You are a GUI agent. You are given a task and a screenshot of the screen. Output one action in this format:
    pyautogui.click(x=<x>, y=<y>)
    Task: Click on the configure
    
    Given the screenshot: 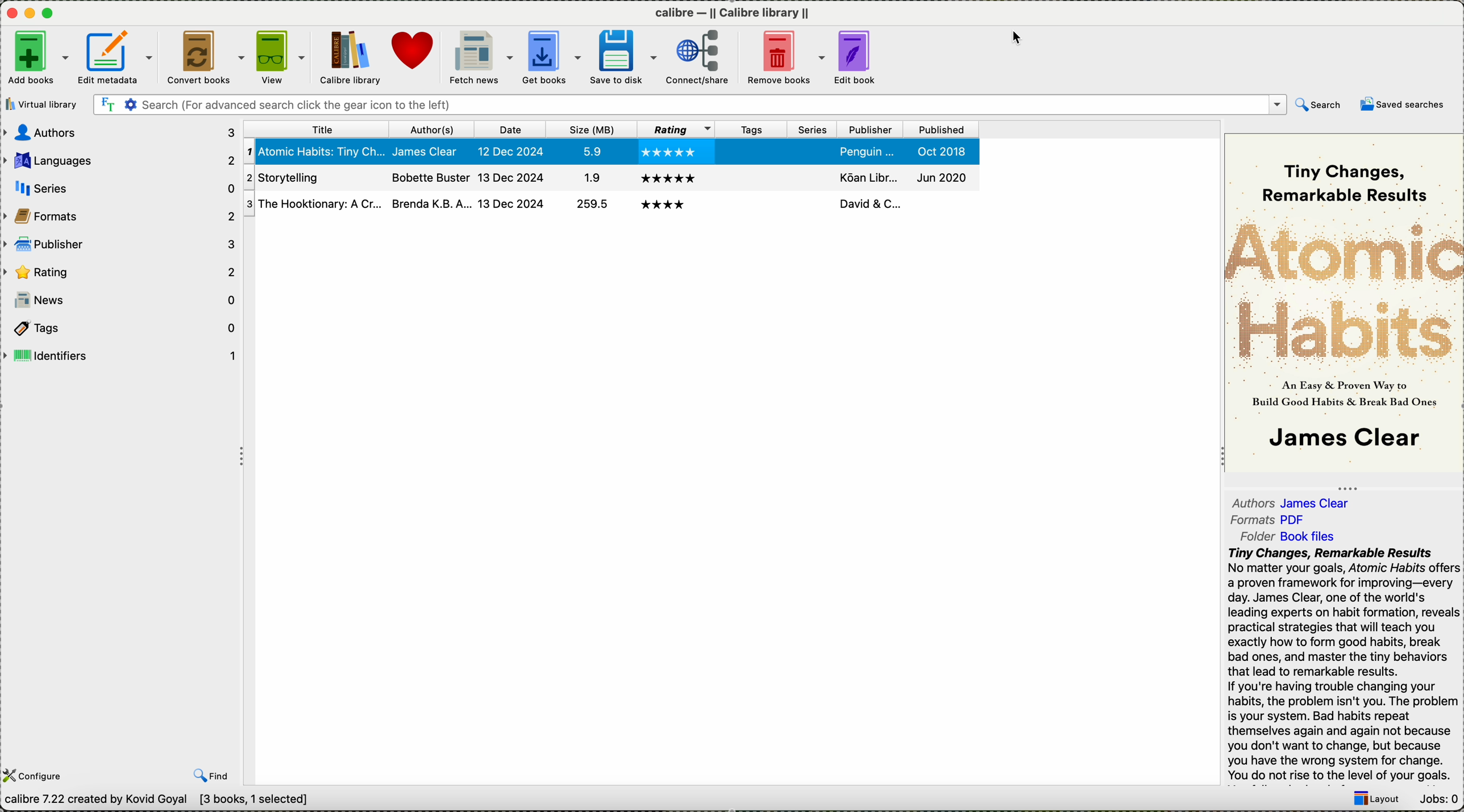 What is the action you would take?
    pyautogui.click(x=38, y=774)
    